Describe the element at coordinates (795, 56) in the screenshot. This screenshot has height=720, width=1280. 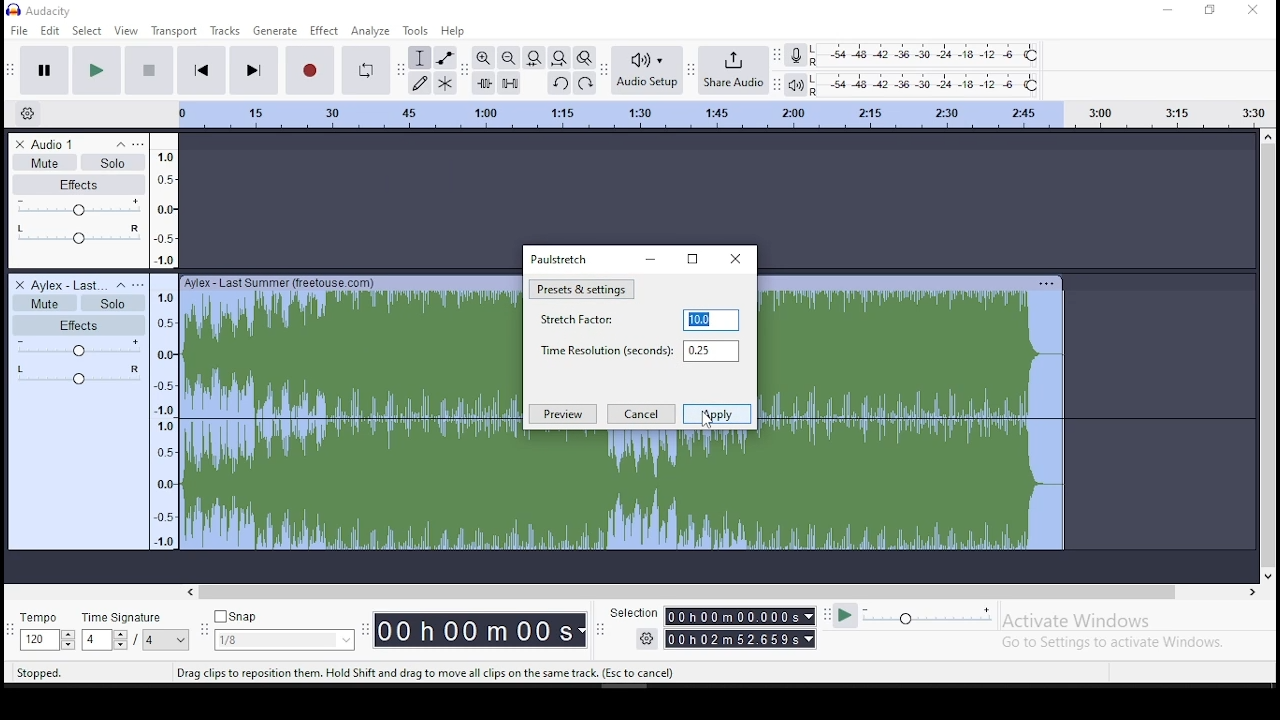
I see `record mixer` at that location.